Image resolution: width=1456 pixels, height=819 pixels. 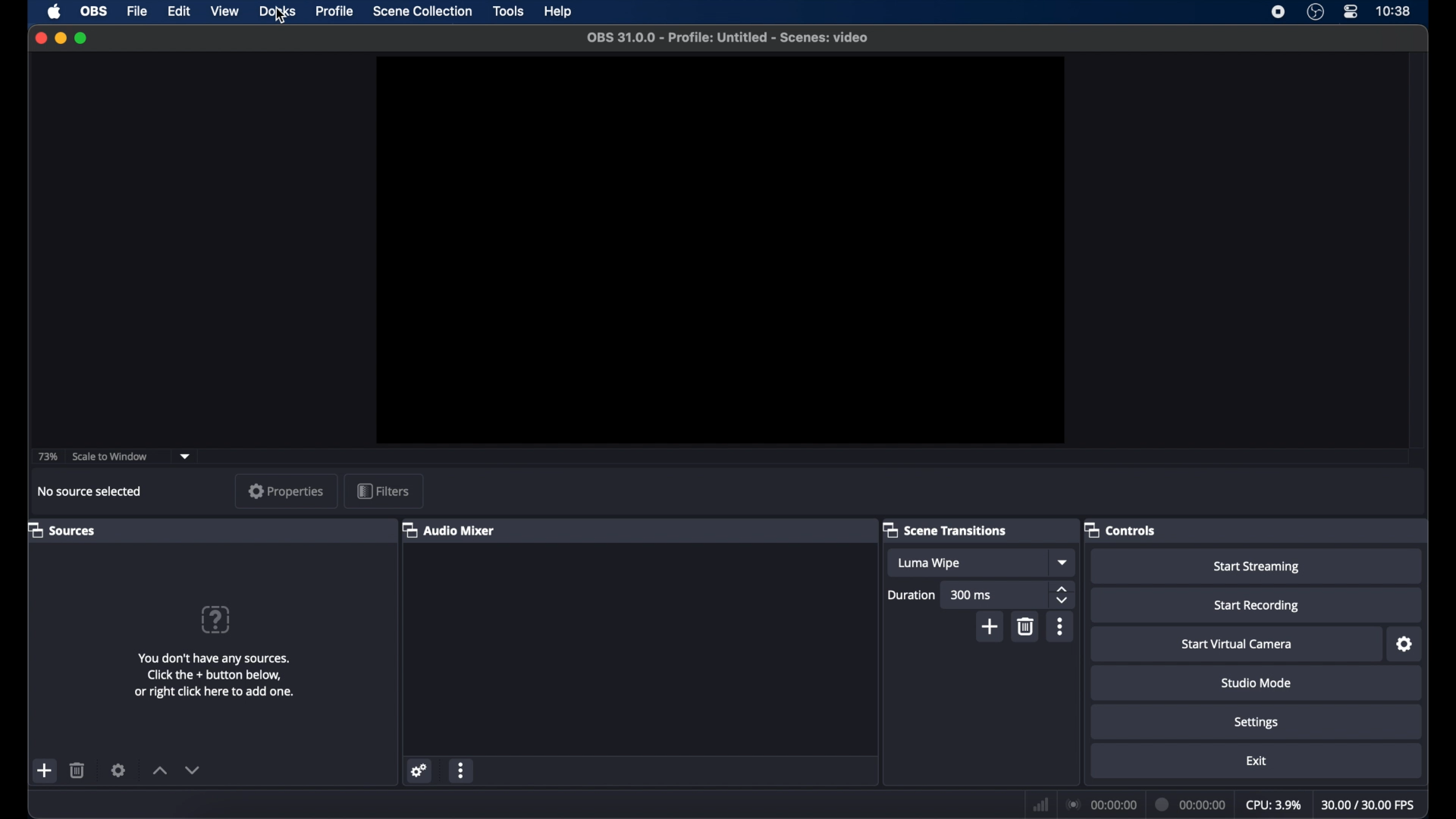 What do you see at coordinates (177, 11) in the screenshot?
I see `edit` at bounding box center [177, 11].